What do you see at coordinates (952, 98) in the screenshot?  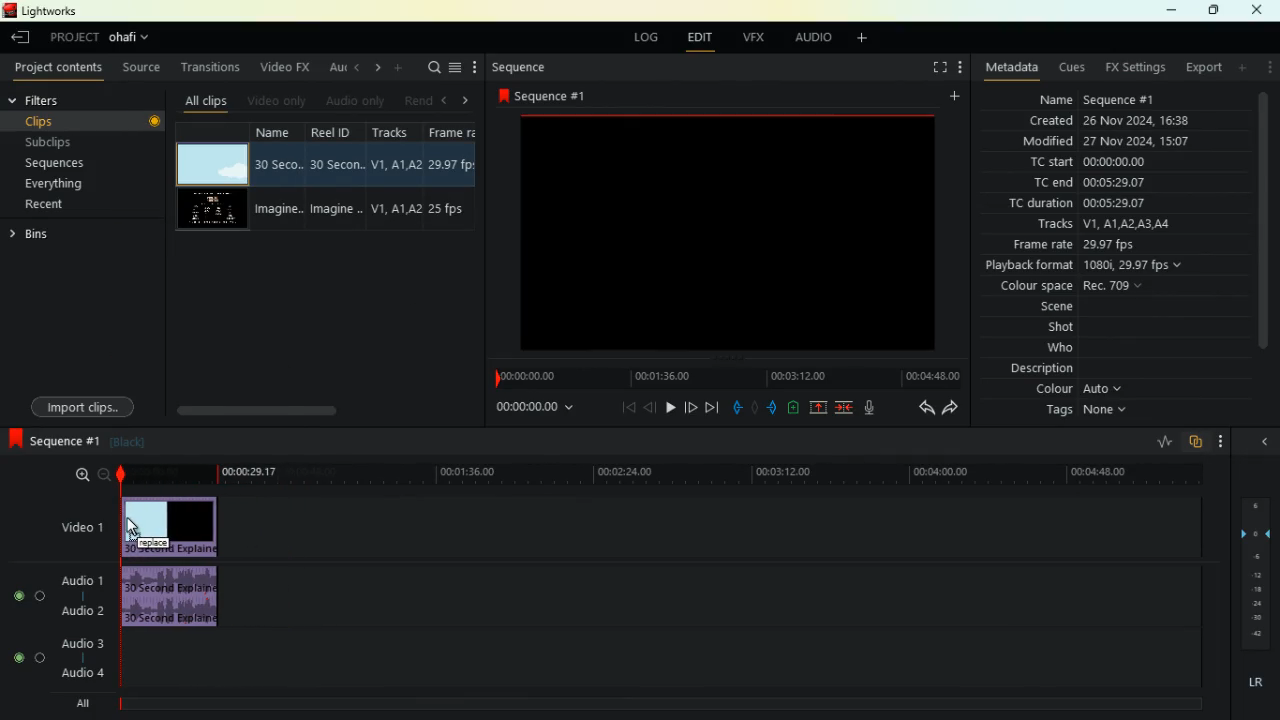 I see `add` at bounding box center [952, 98].